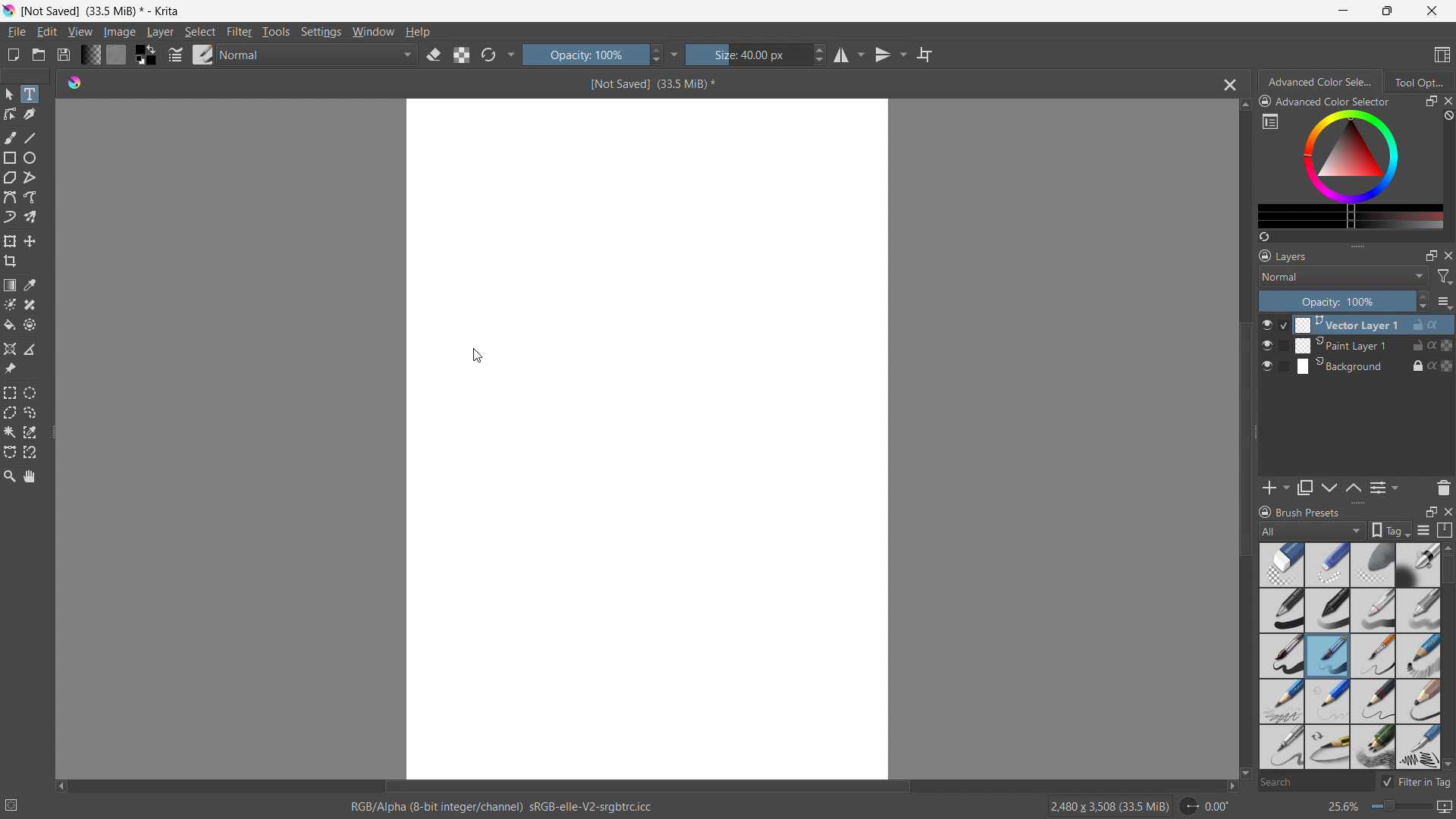  What do you see at coordinates (461, 55) in the screenshot?
I see `preserve alpha` at bounding box center [461, 55].